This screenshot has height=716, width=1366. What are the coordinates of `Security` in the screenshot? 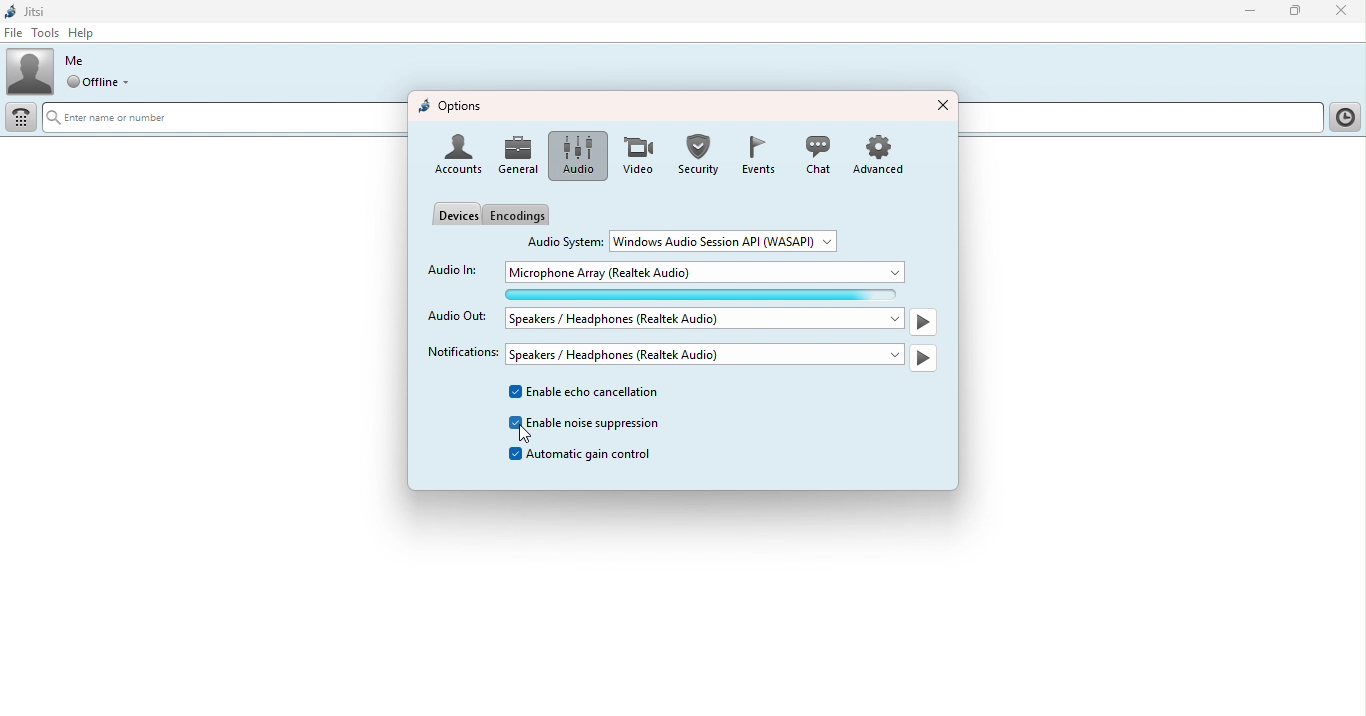 It's located at (697, 154).